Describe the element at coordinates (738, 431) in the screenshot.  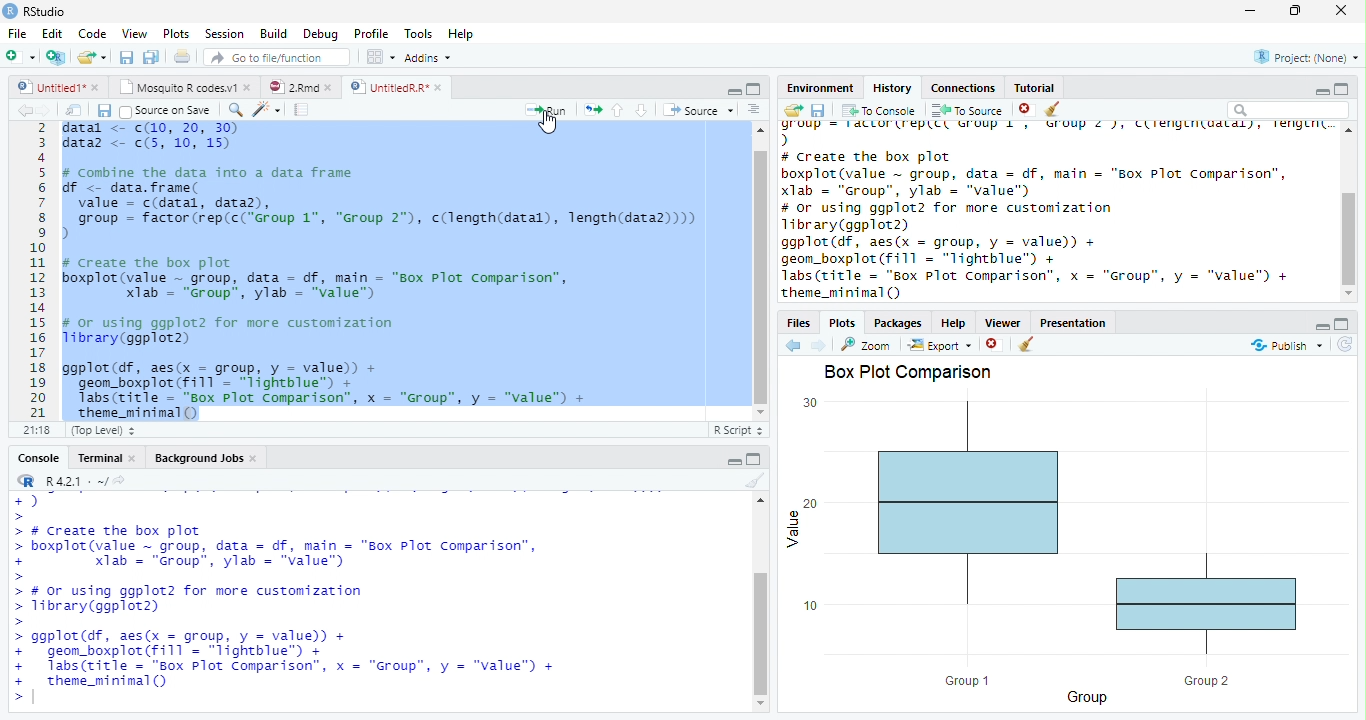
I see `R Script` at that location.